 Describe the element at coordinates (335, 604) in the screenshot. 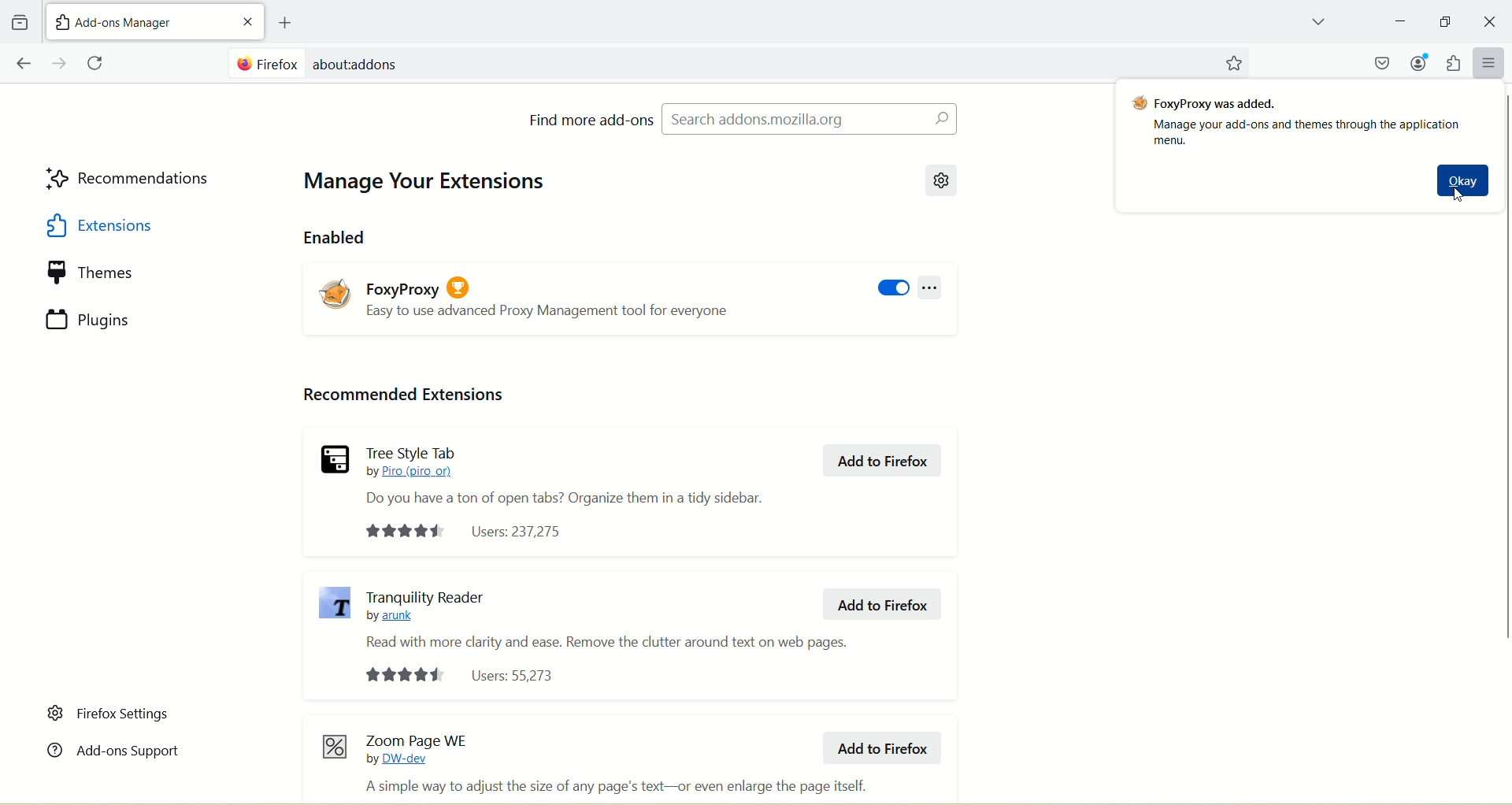

I see `Tranquility Reader Icon` at that location.